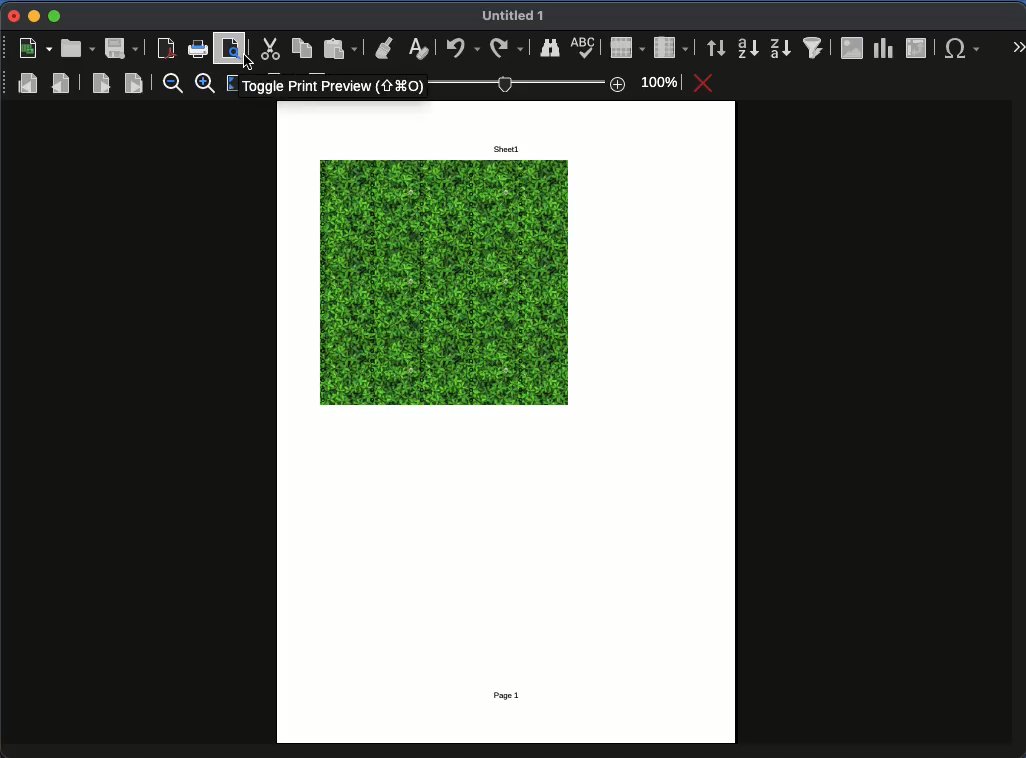  I want to click on next page, so click(101, 83).